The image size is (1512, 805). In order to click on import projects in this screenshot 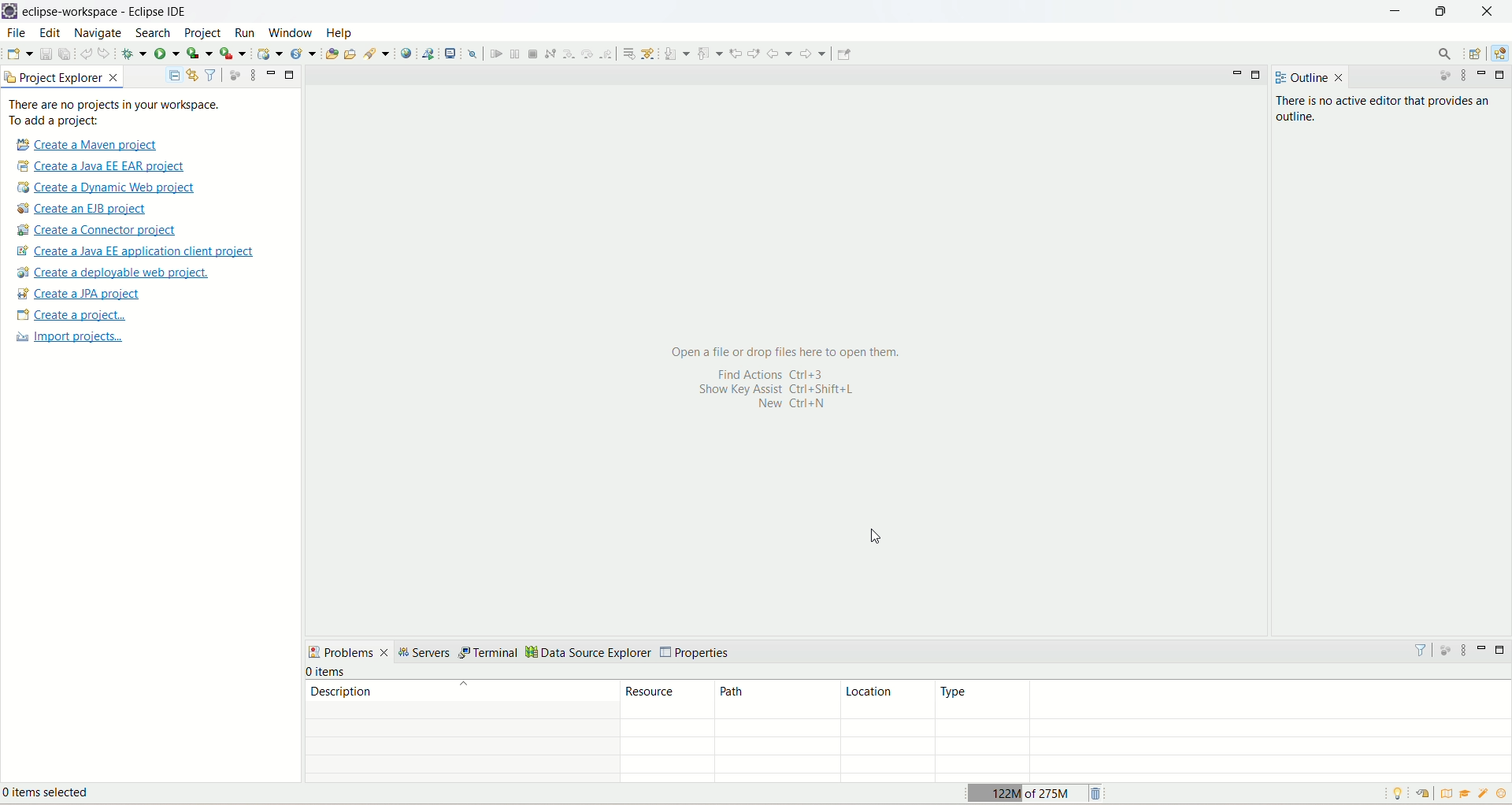, I will do `click(67, 339)`.